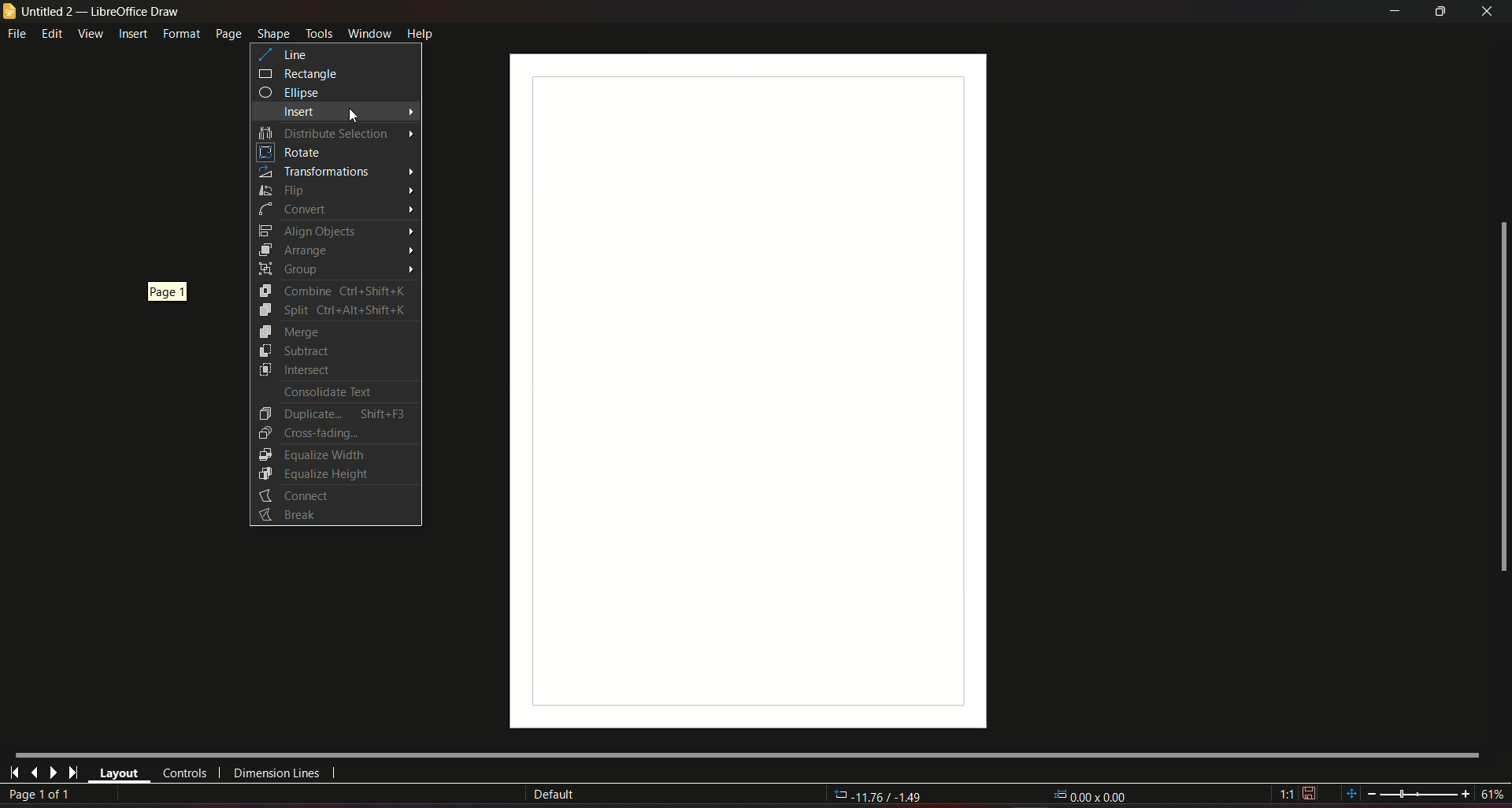 The image size is (1512, 808). I want to click on Connect, so click(298, 495).